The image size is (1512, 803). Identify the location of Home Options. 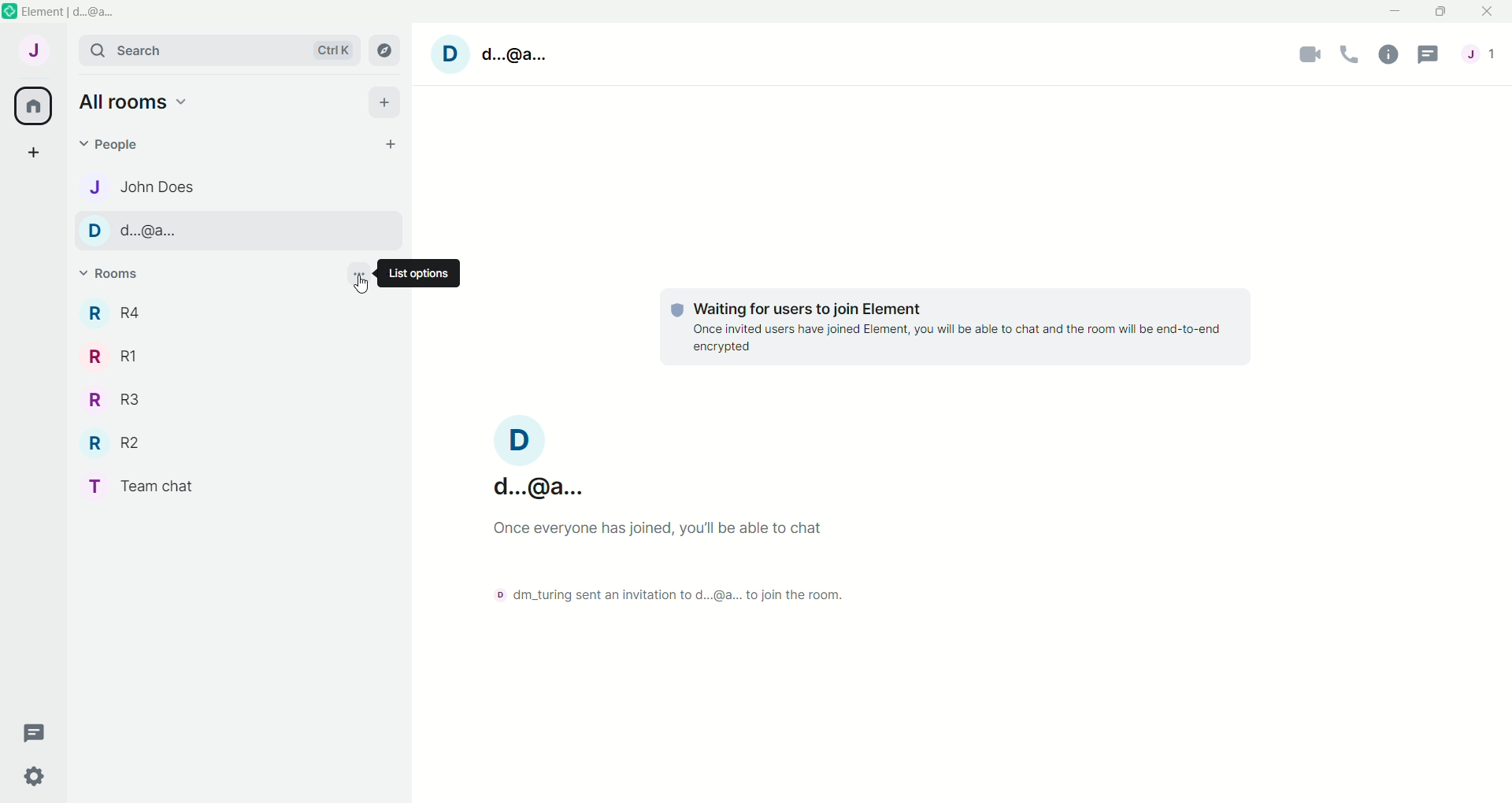
(138, 102).